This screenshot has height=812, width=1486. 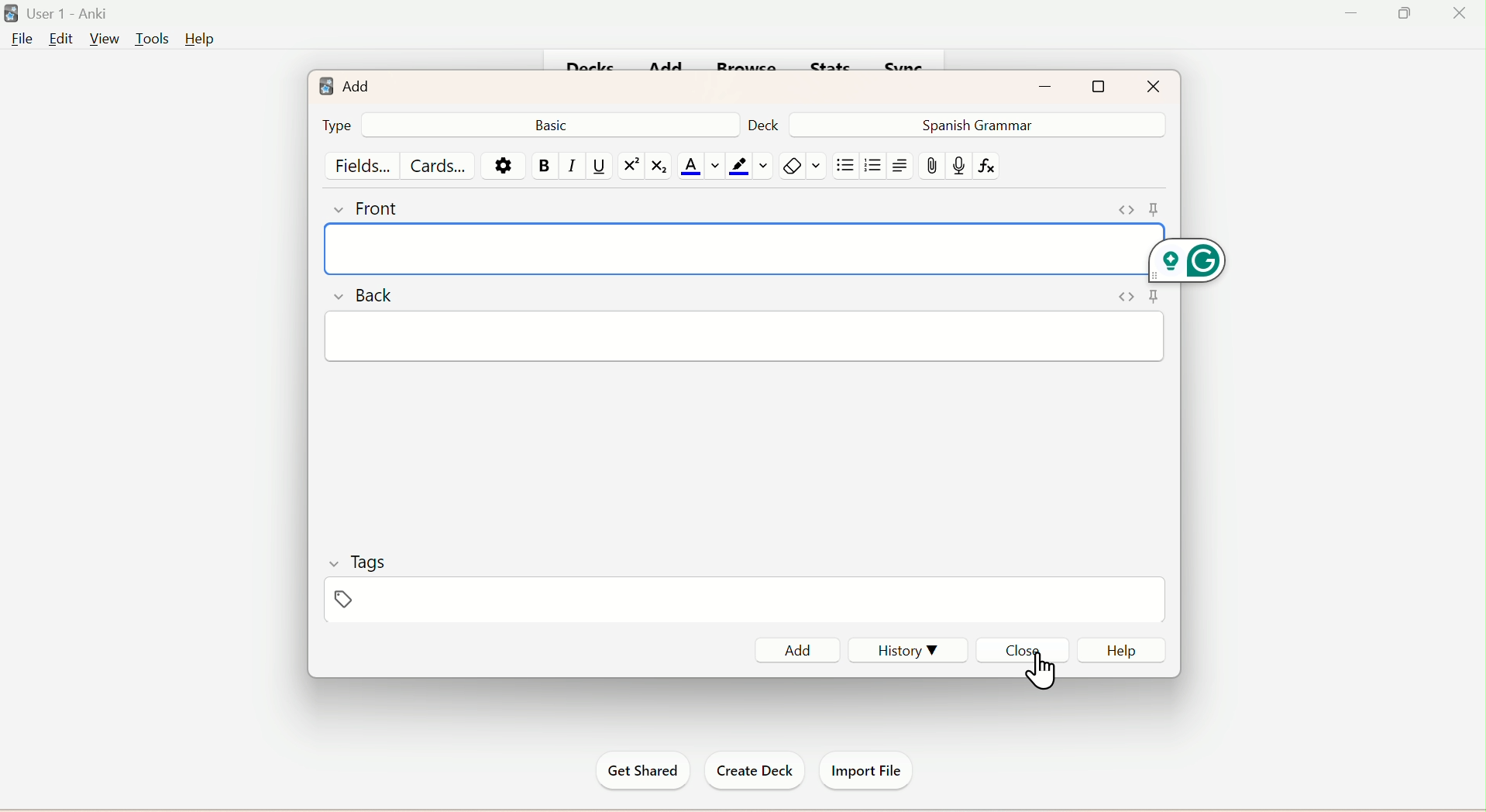 I want to click on Get Started, so click(x=645, y=771).